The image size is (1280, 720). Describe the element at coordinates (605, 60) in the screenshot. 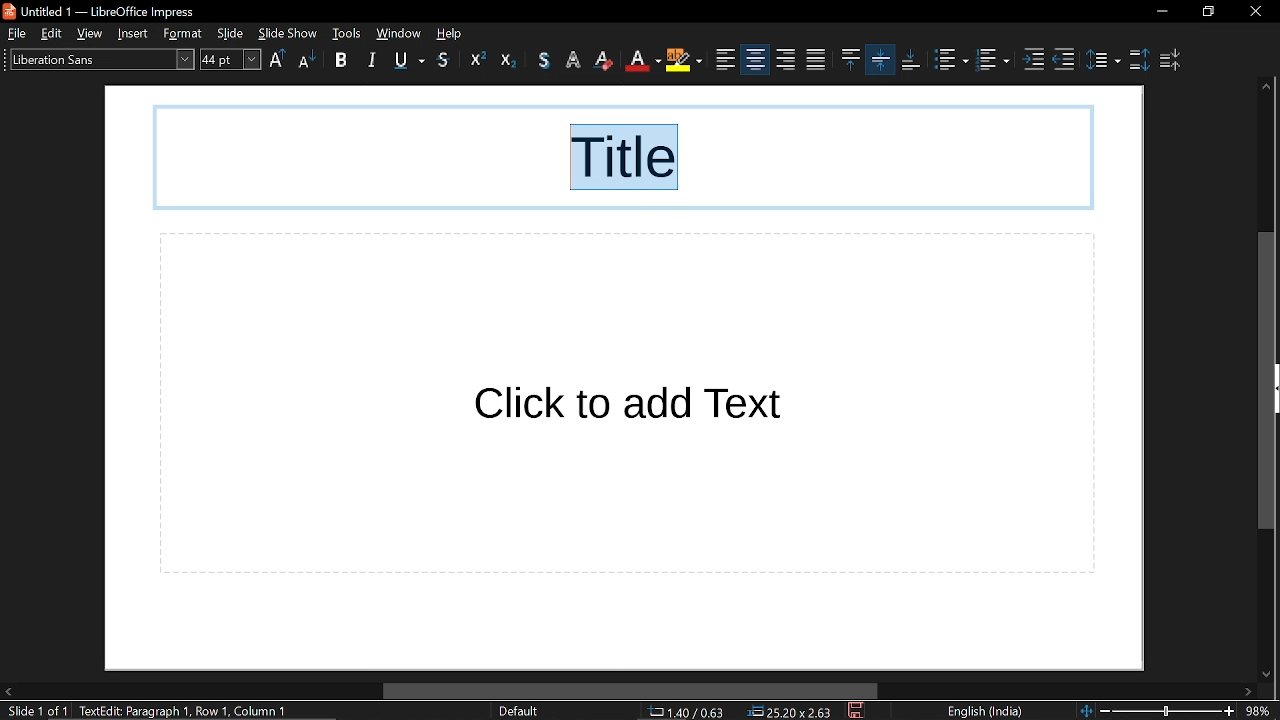

I see `text color` at that location.